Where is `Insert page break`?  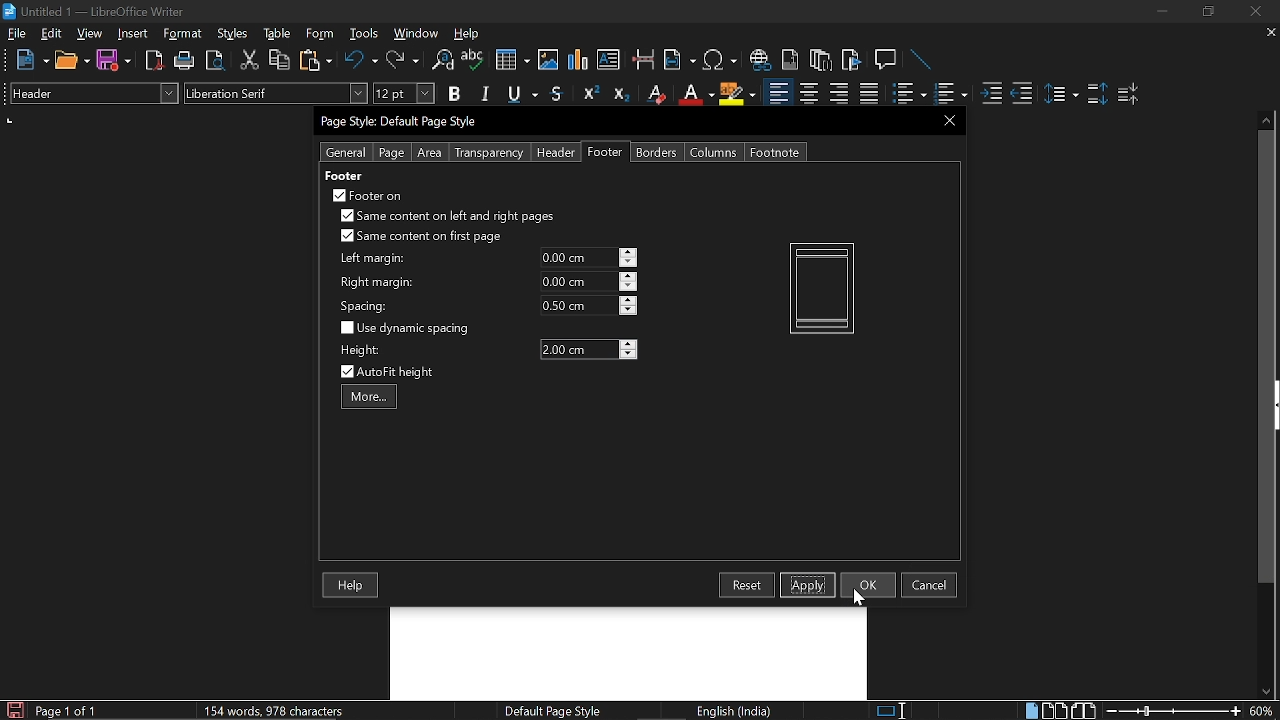 Insert page break is located at coordinates (642, 60).